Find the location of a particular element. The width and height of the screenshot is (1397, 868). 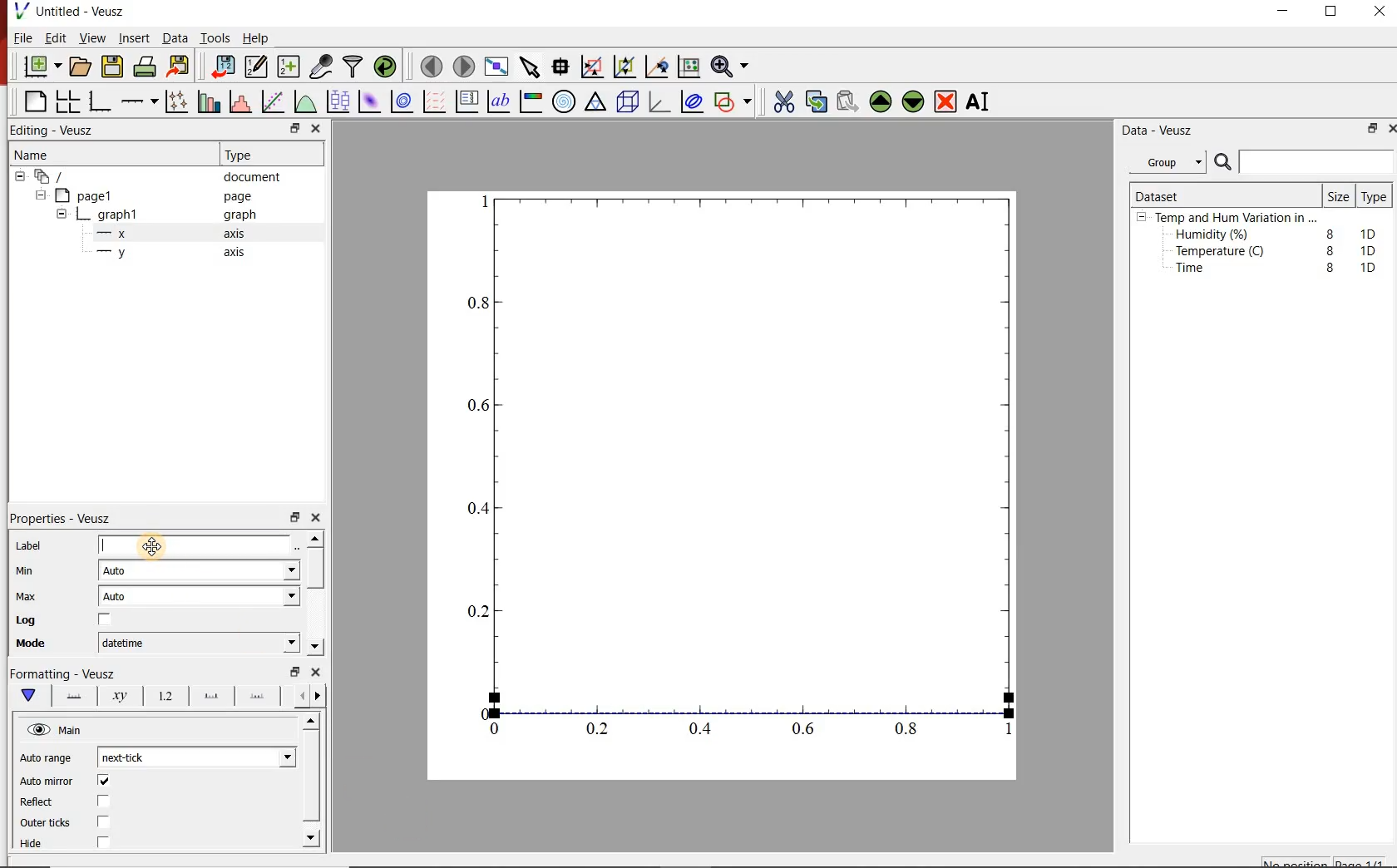

1D is located at coordinates (1368, 267).